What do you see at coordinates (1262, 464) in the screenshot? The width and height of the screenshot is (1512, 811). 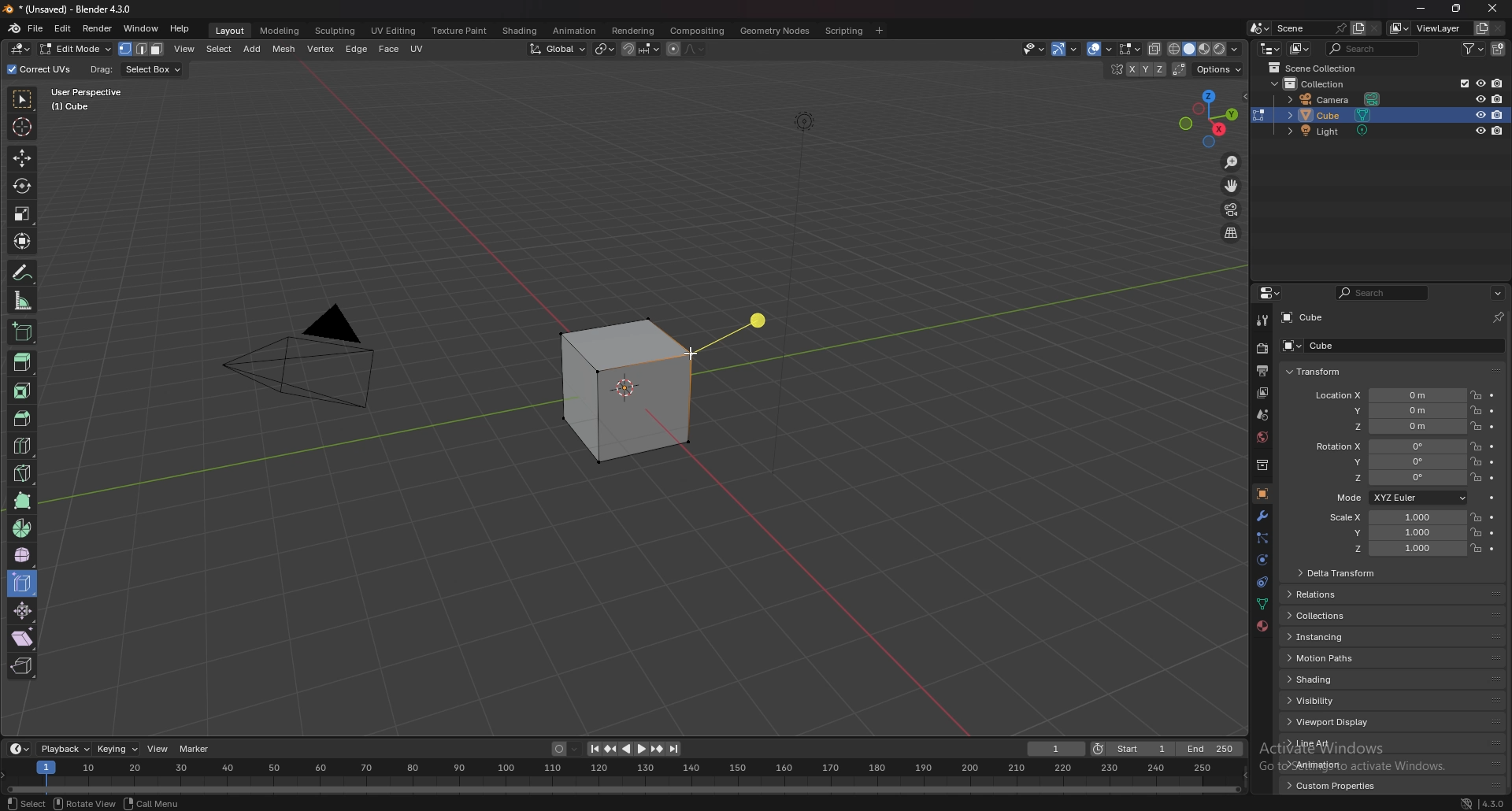 I see `collection` at bounding box center [1262, 464].